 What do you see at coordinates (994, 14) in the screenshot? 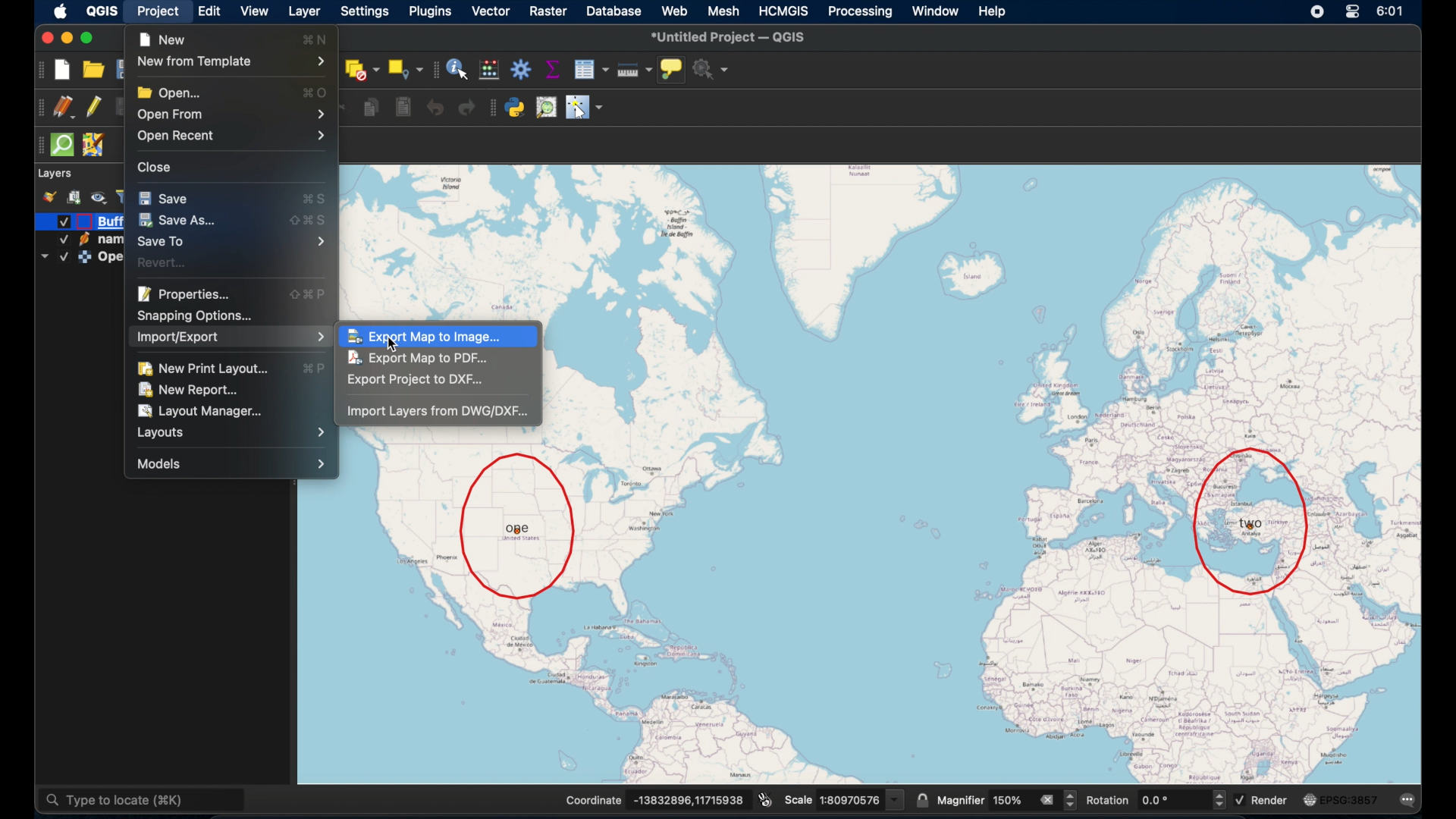
I see `help` at bounding box center [994, 14].